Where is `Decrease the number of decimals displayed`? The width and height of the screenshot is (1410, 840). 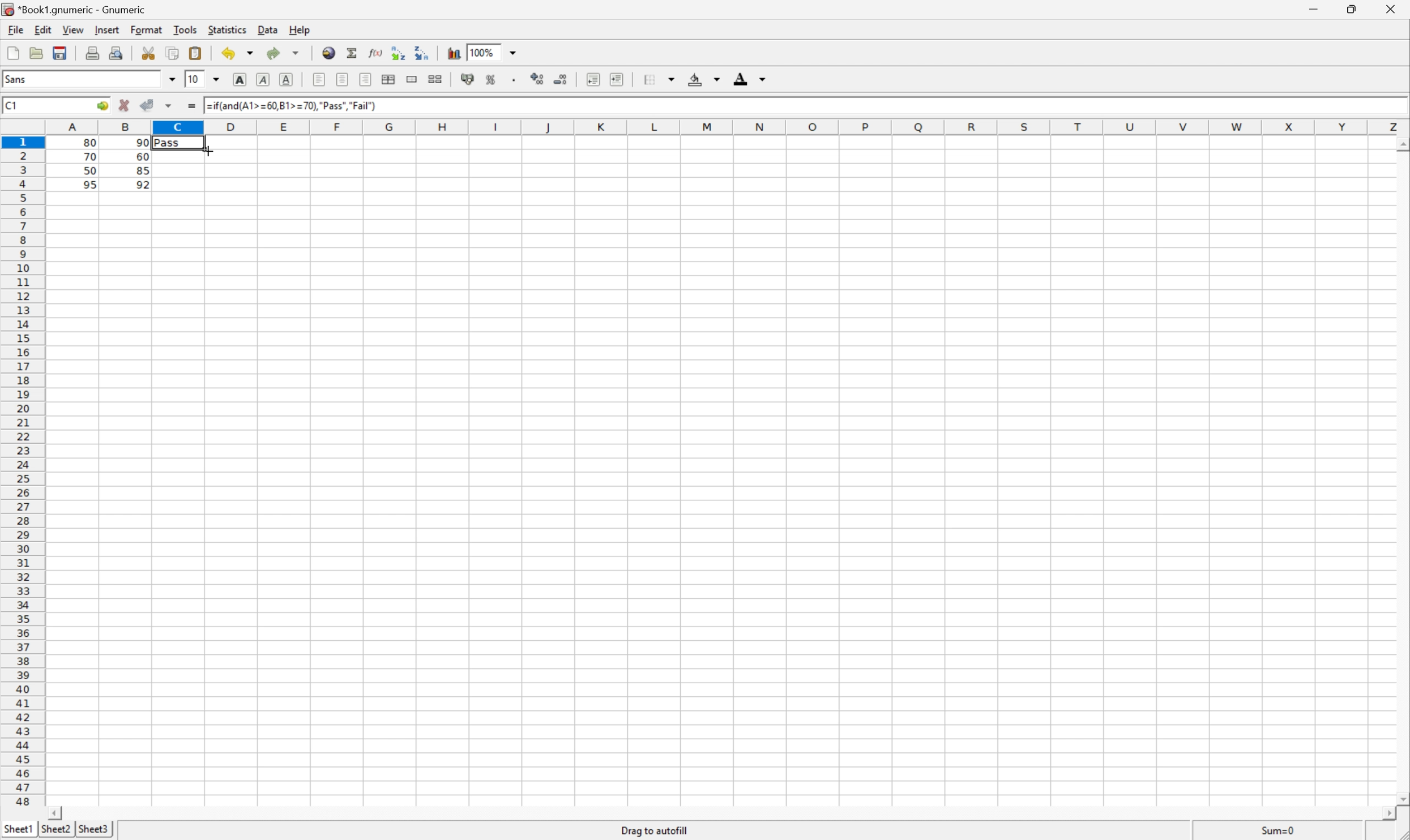 Decrease the number of decimals displayed is located at coordinates (563, 79).